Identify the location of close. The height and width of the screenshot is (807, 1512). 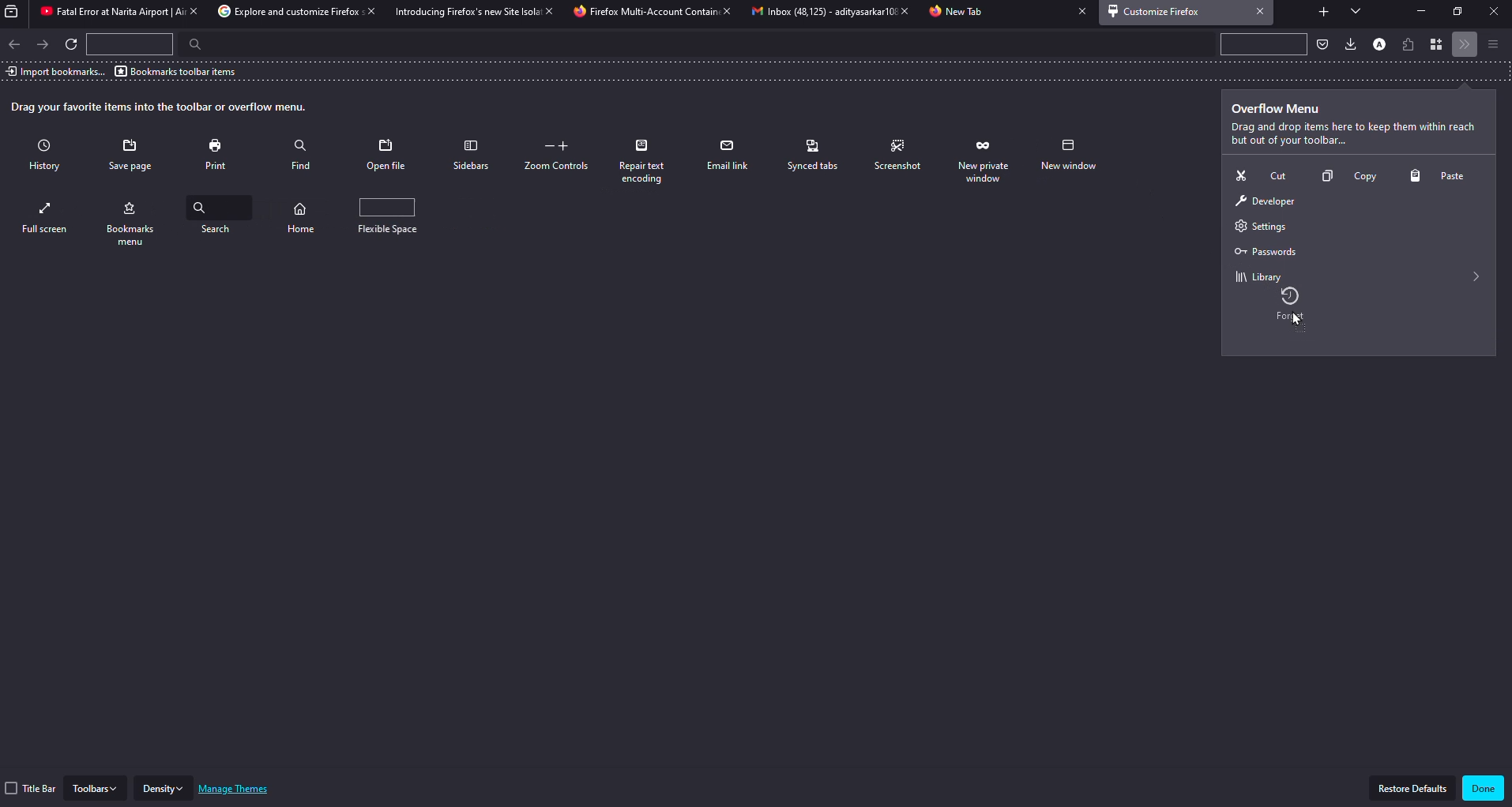
(367, 12).